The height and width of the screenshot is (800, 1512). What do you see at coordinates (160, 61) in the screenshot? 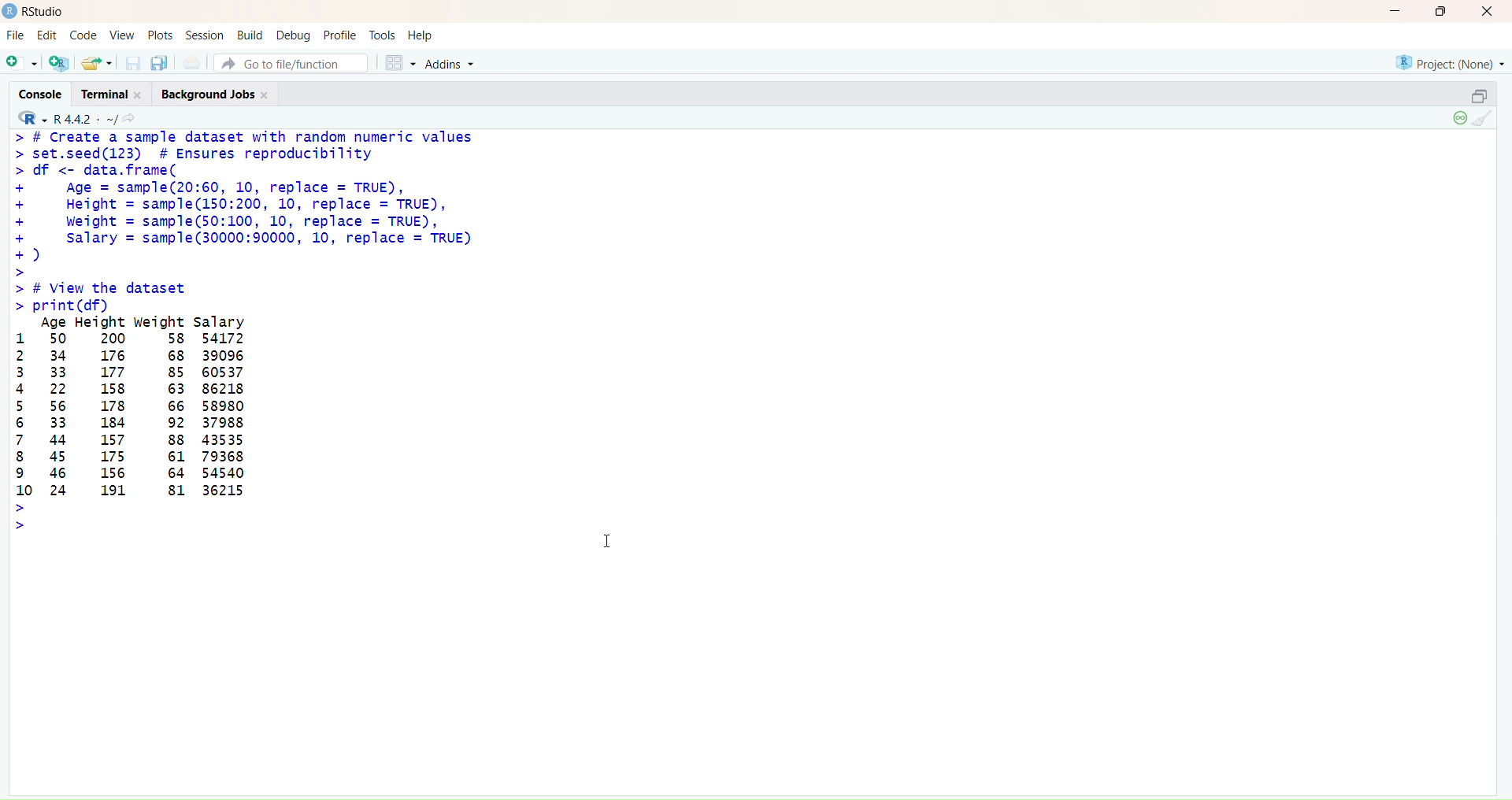
I see `Save all open documents (Ctrl + Alt + S)` at bounding box center [160, 61].